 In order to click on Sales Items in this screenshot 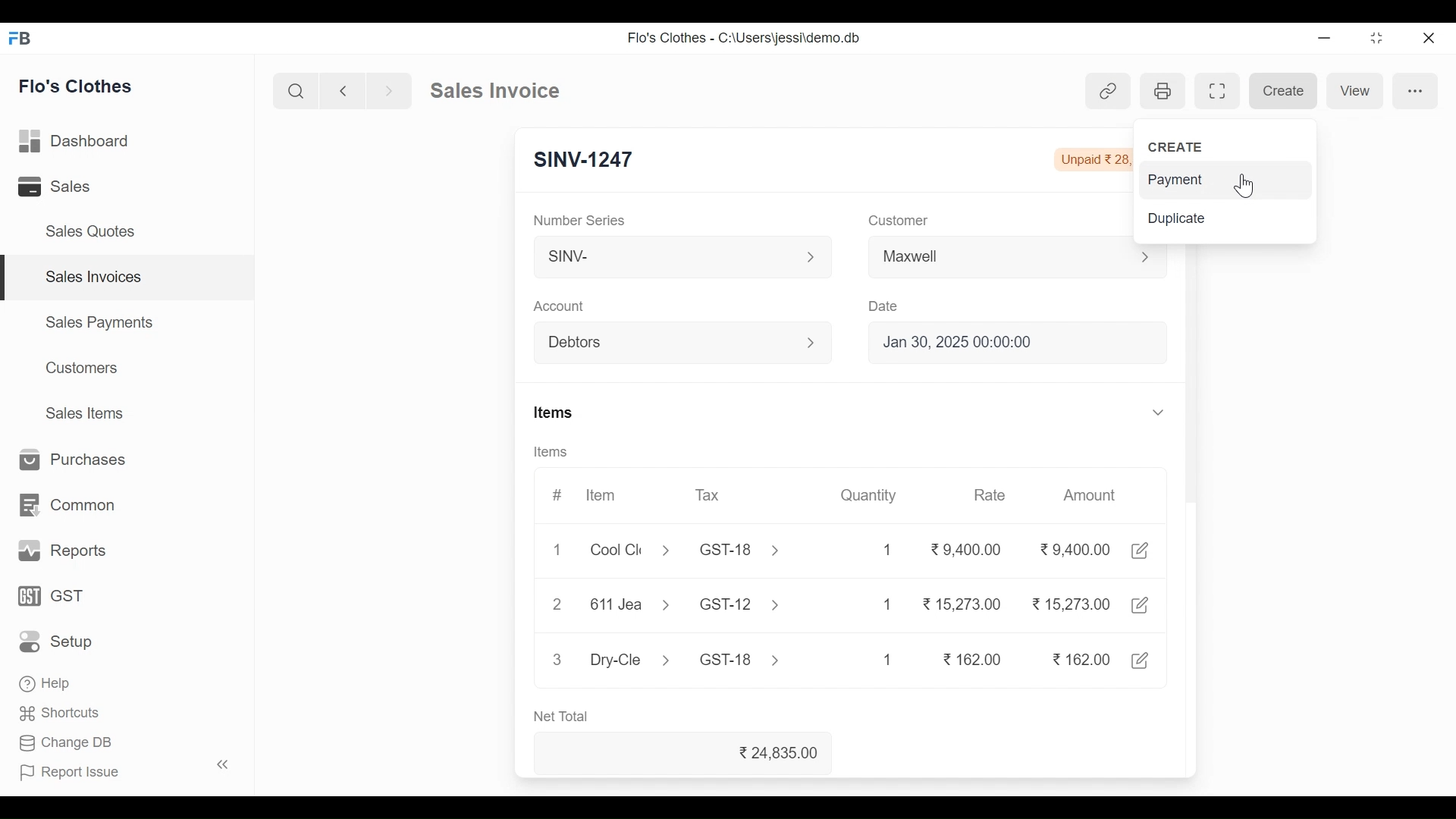, I will do `click(83, 413)`.